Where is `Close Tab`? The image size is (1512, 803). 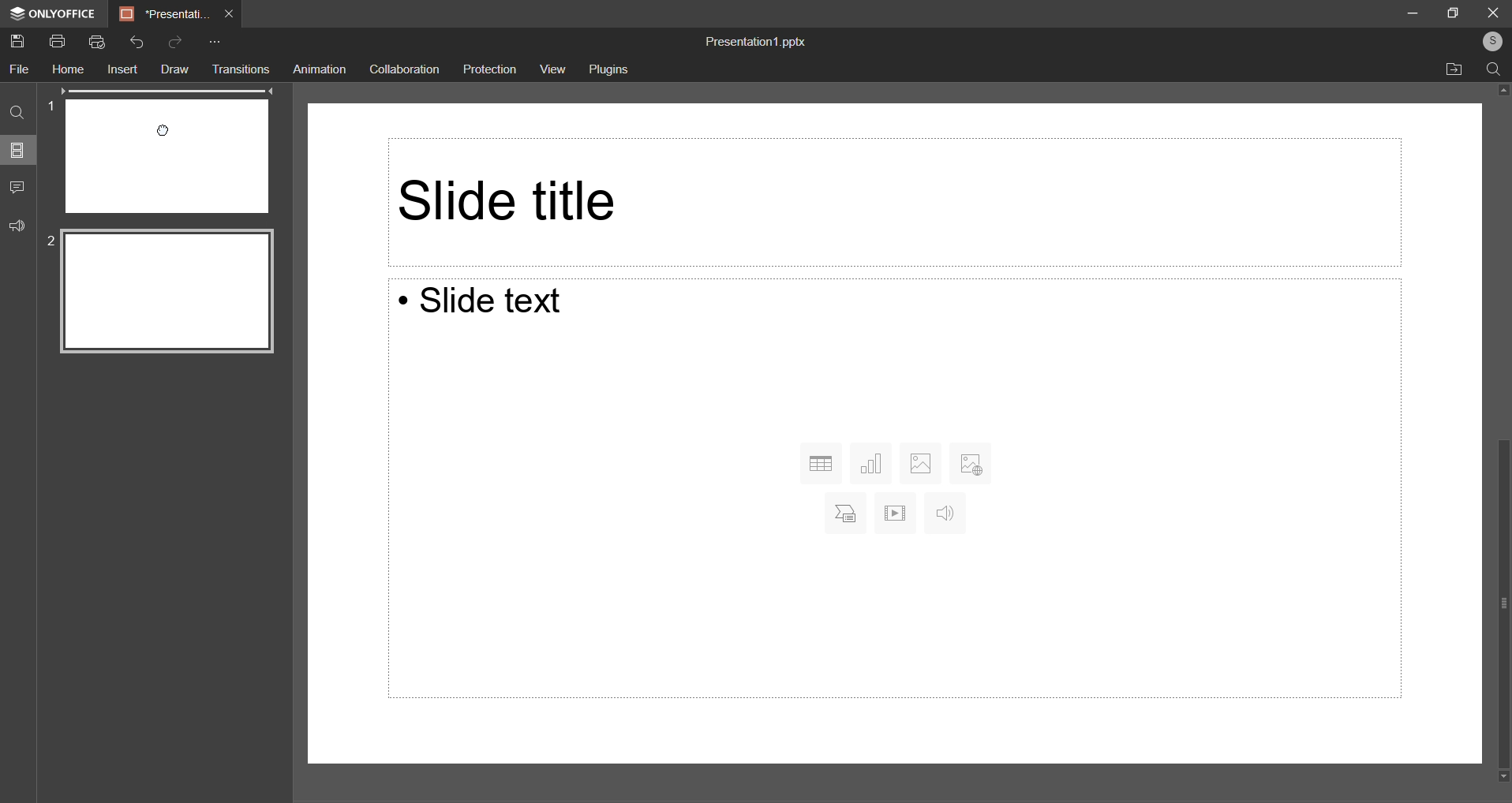
Close Tab is located at coordinates (230, 13).